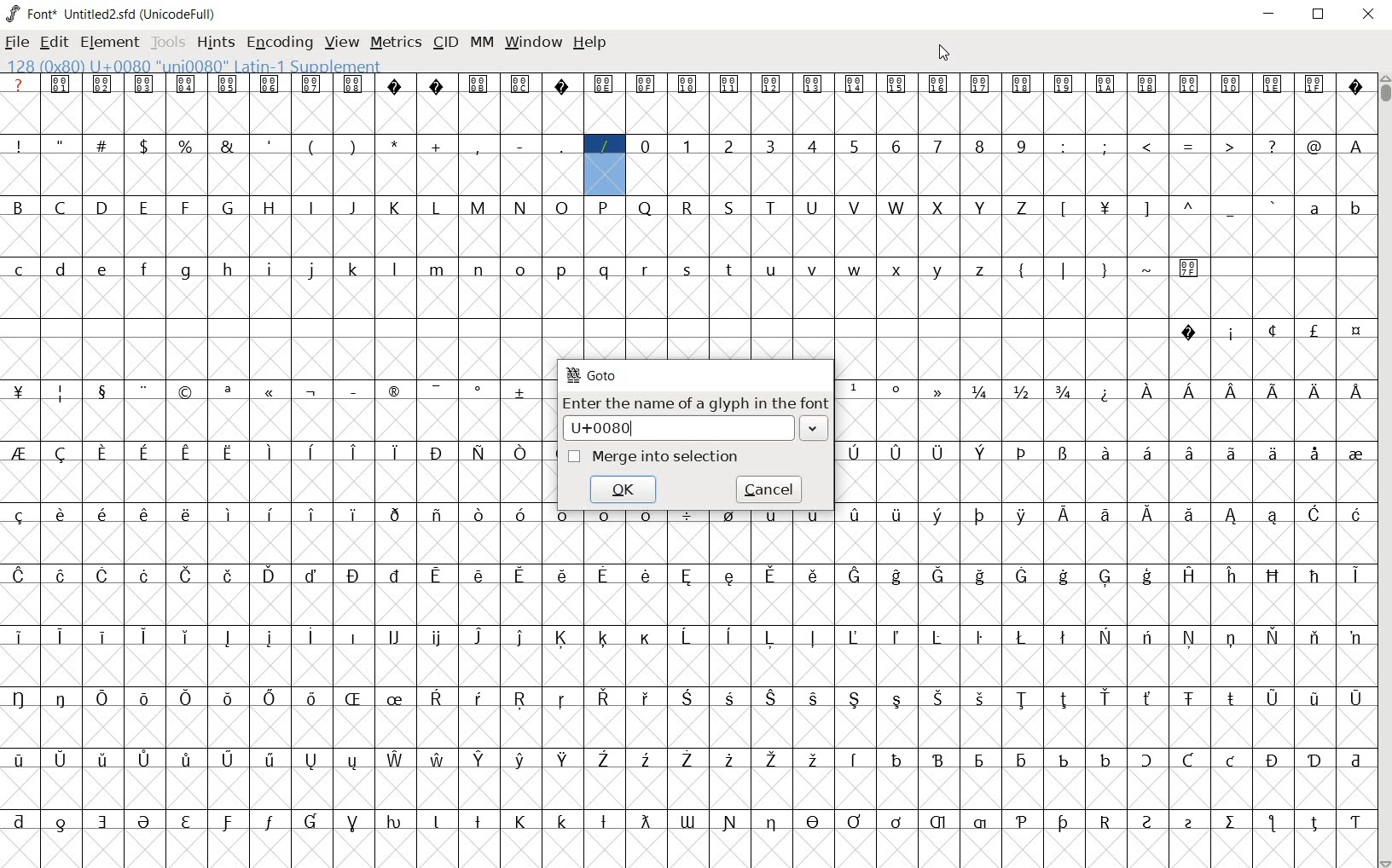 This screenshot has height=868, width=1392. What do you see at coordinates (1022, 391) in the screenshot?
I see `glyph` at bounding box center [1022, 391].